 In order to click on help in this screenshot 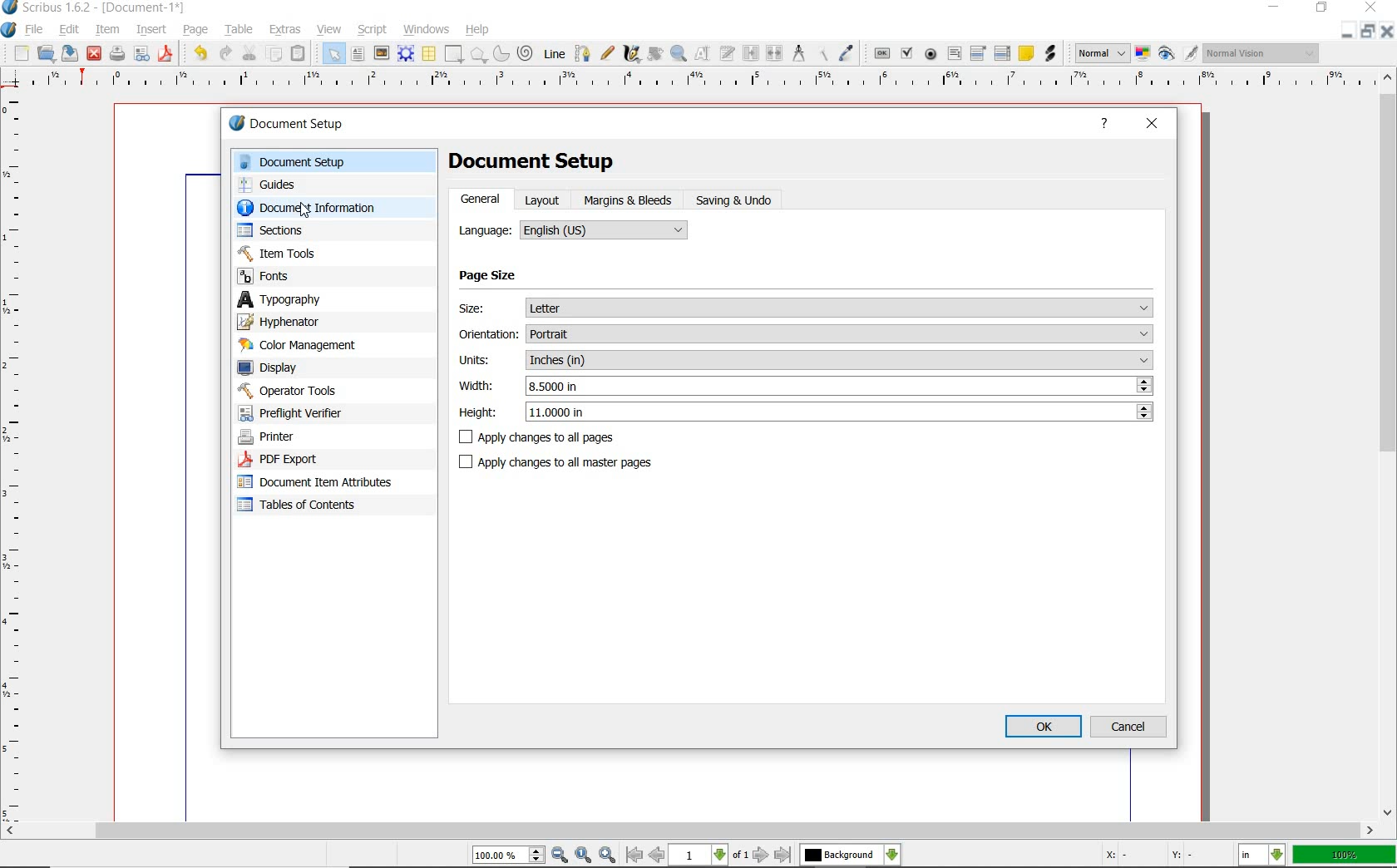, I will do `click(480, 28)`.